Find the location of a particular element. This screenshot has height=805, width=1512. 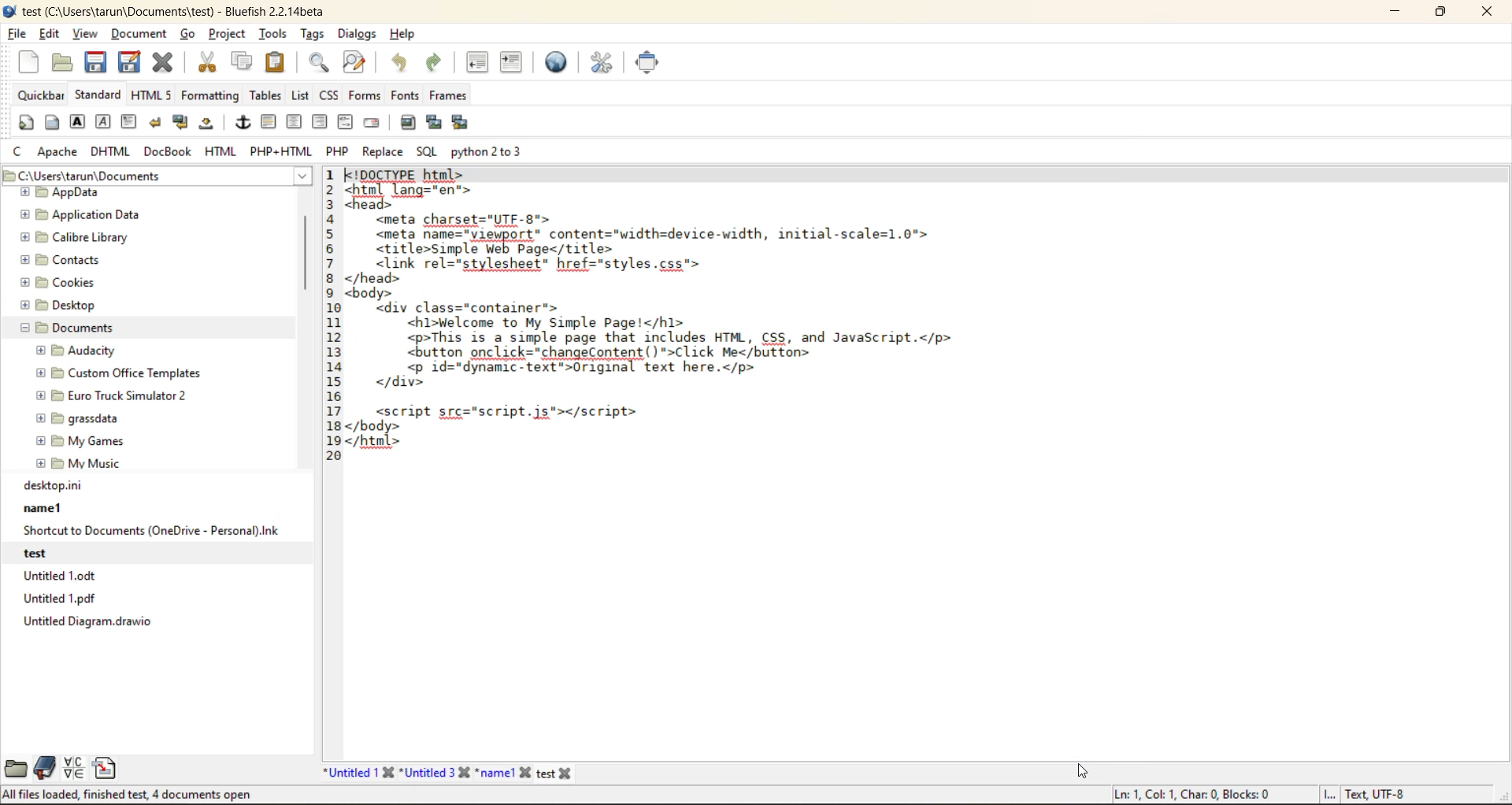

standard is located at coordinates (98, 95).